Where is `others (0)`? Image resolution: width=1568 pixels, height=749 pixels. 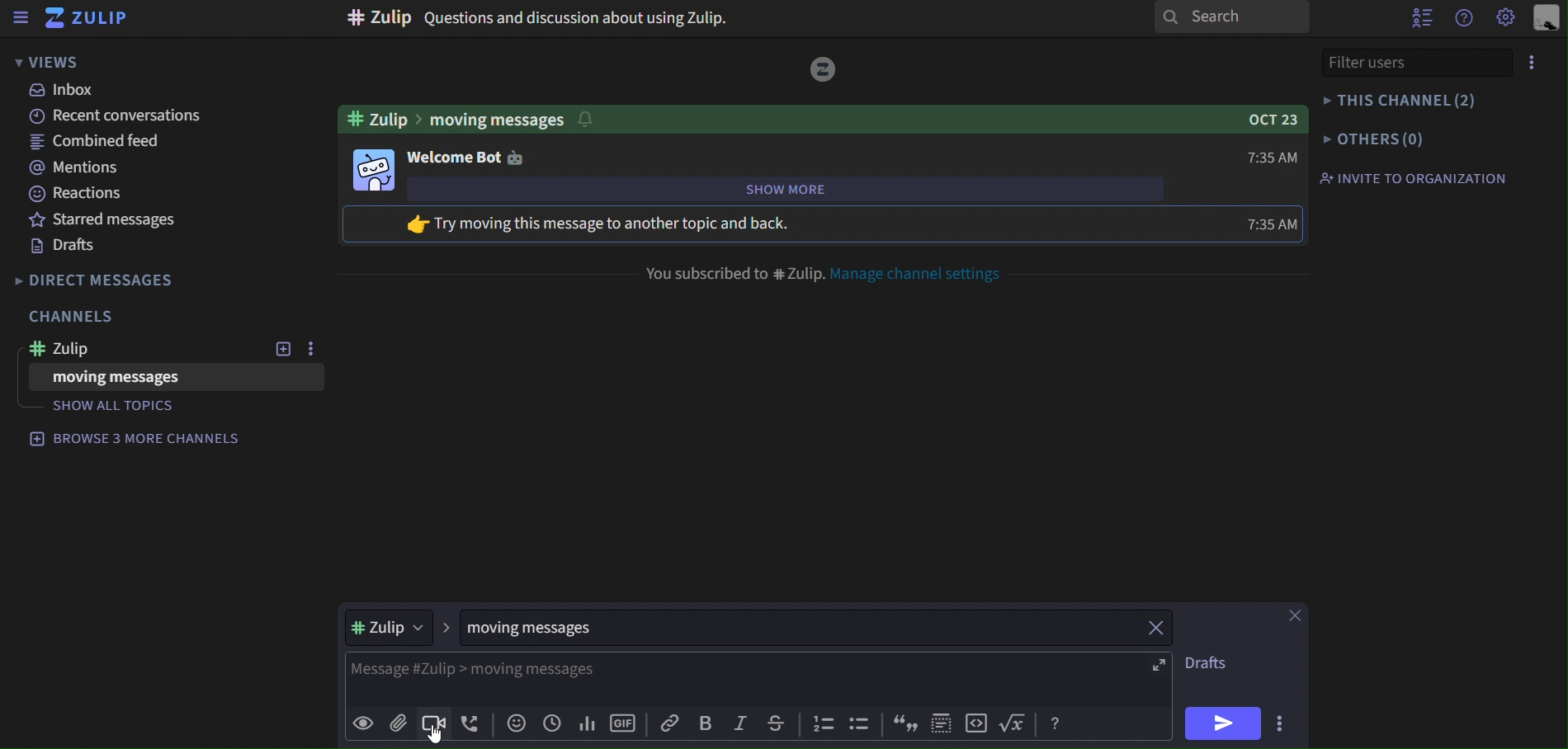
others (0) is located at coordinates (1375, 138).